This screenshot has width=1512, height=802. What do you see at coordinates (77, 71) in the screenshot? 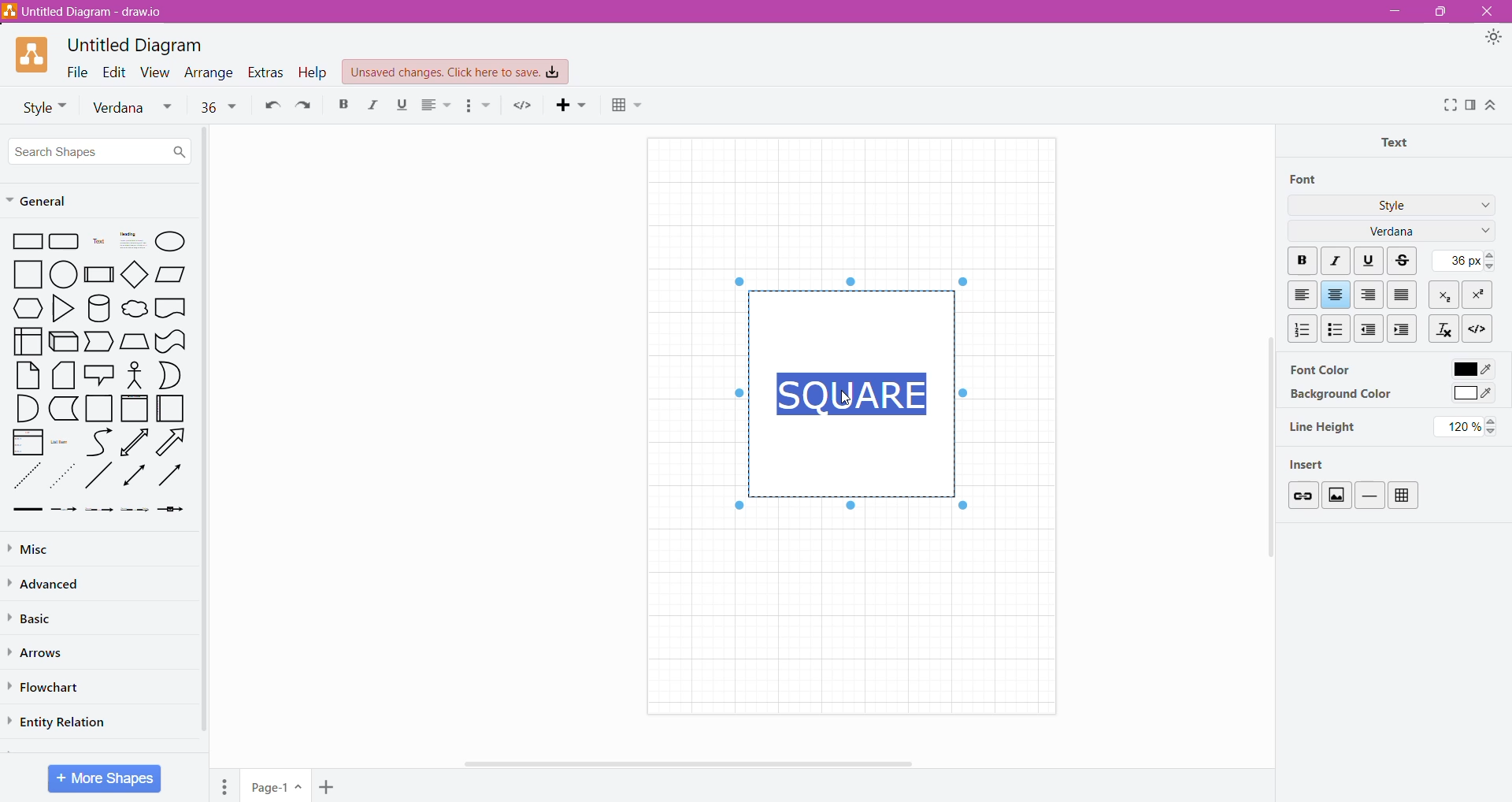
I see `File` at bounding box center [77, 71].